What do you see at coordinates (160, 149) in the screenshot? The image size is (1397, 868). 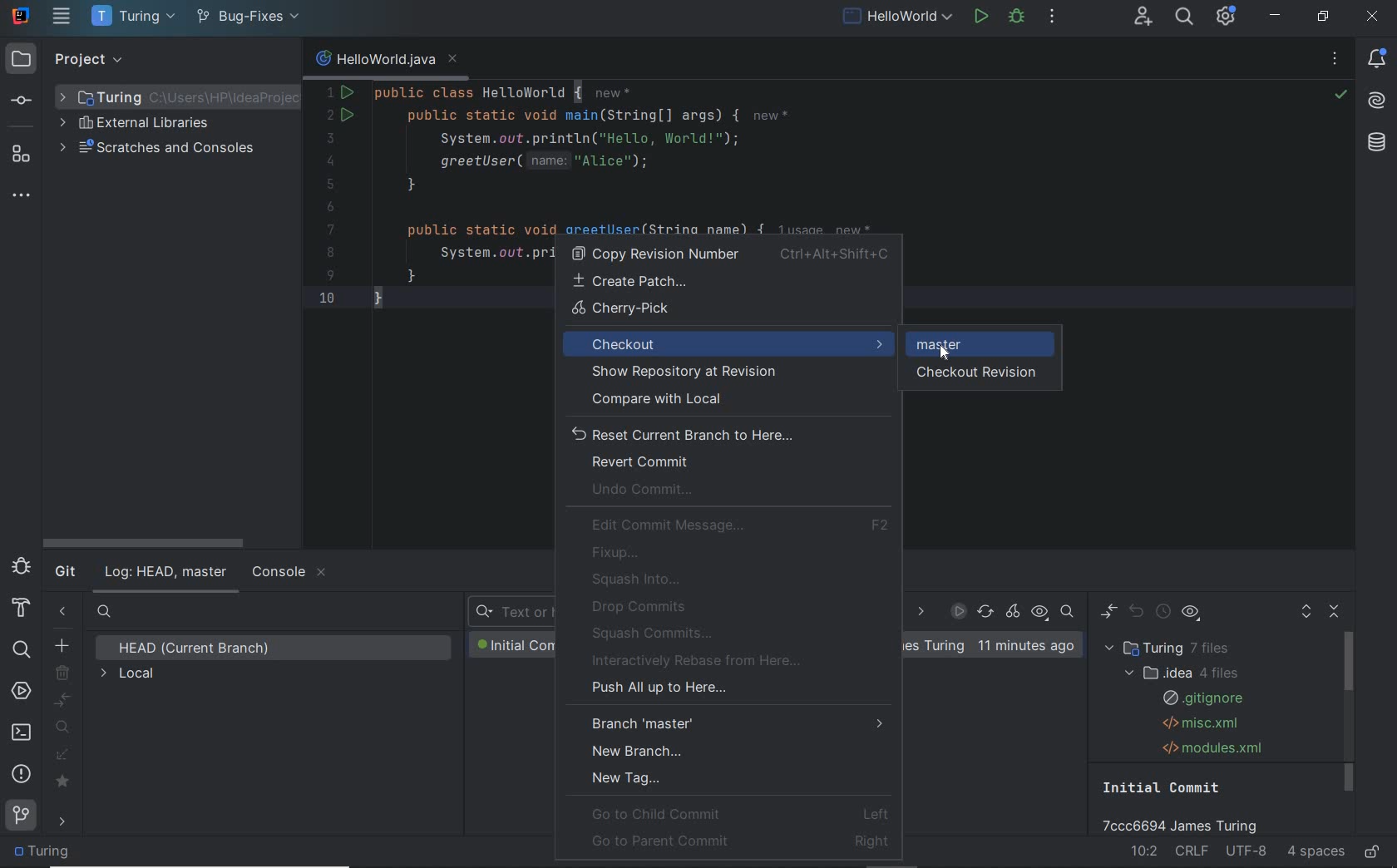 I see `scratches and consoles` at bounding box center [160, 149].